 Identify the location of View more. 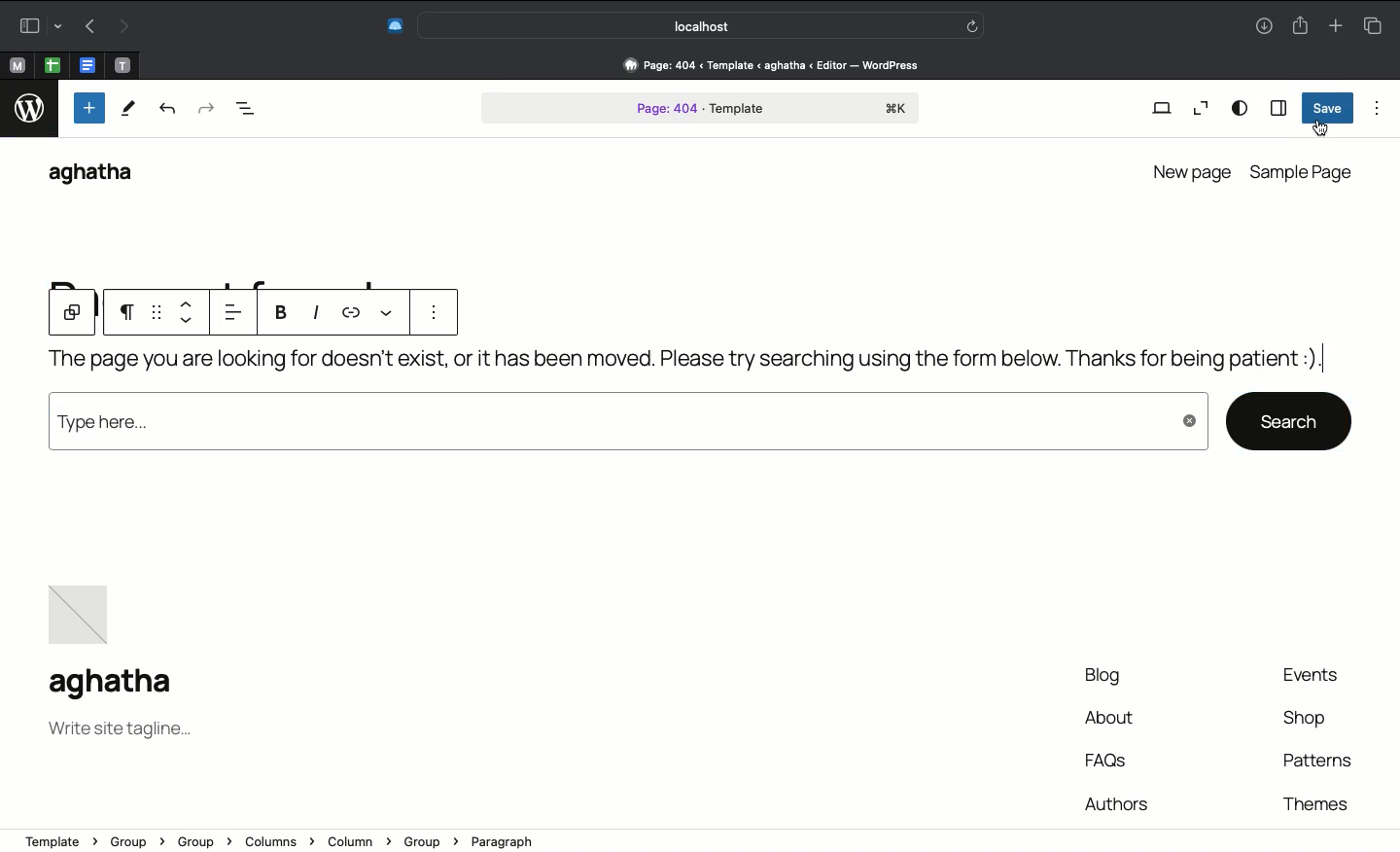
(384, 311).